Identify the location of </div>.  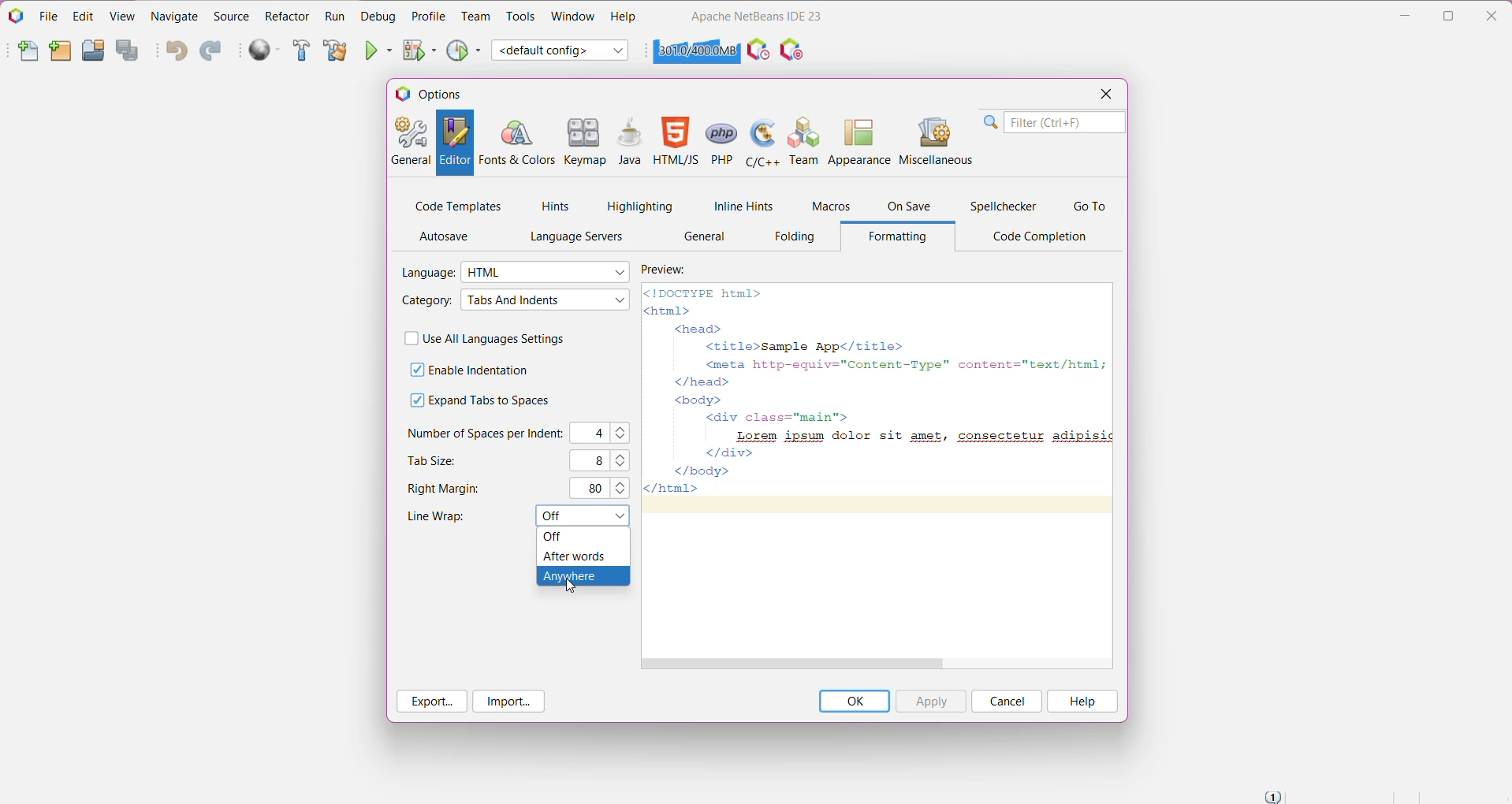
(721, 453).